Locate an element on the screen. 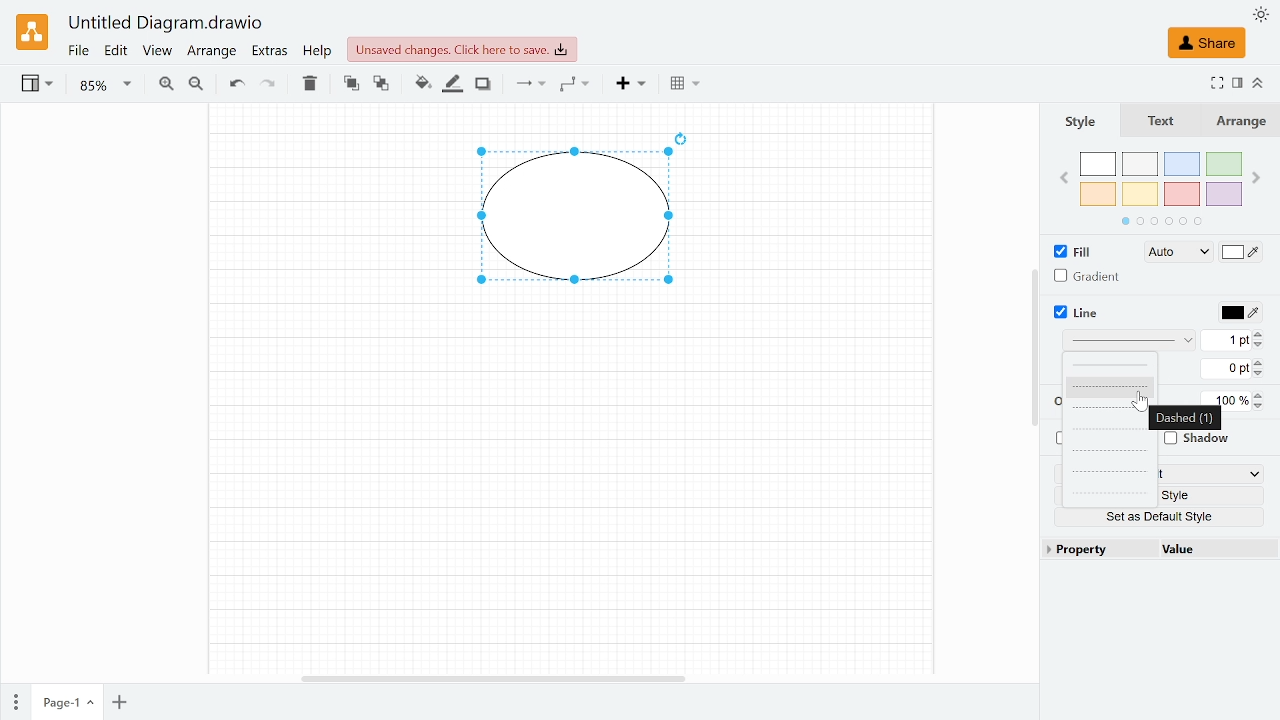 The width and height of the screenshot is (1280, 720). Style is located at coordinates (1198, 495).